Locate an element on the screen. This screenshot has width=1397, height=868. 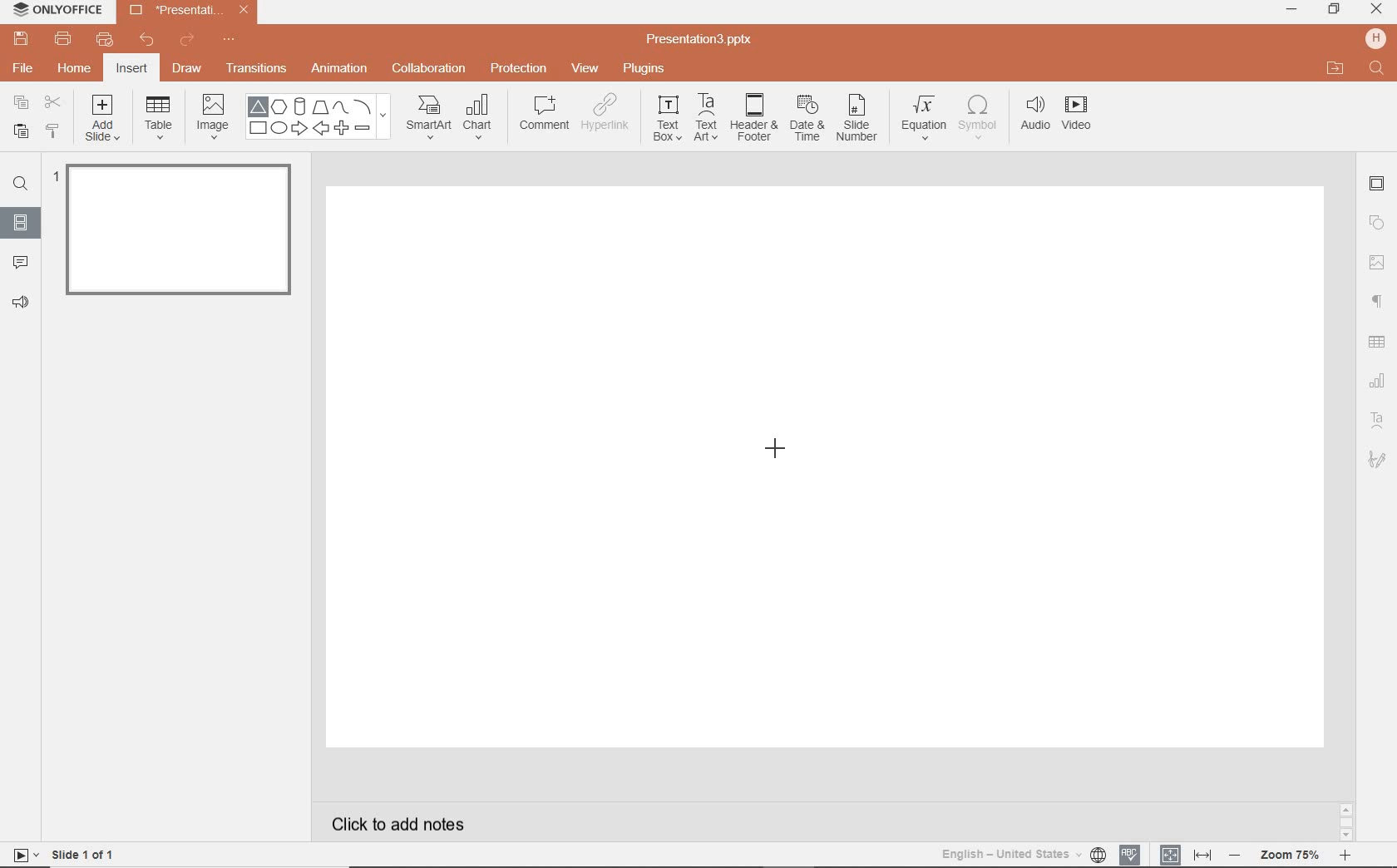
TEXT LANGUAGE is located at coordinates (1024, 854).